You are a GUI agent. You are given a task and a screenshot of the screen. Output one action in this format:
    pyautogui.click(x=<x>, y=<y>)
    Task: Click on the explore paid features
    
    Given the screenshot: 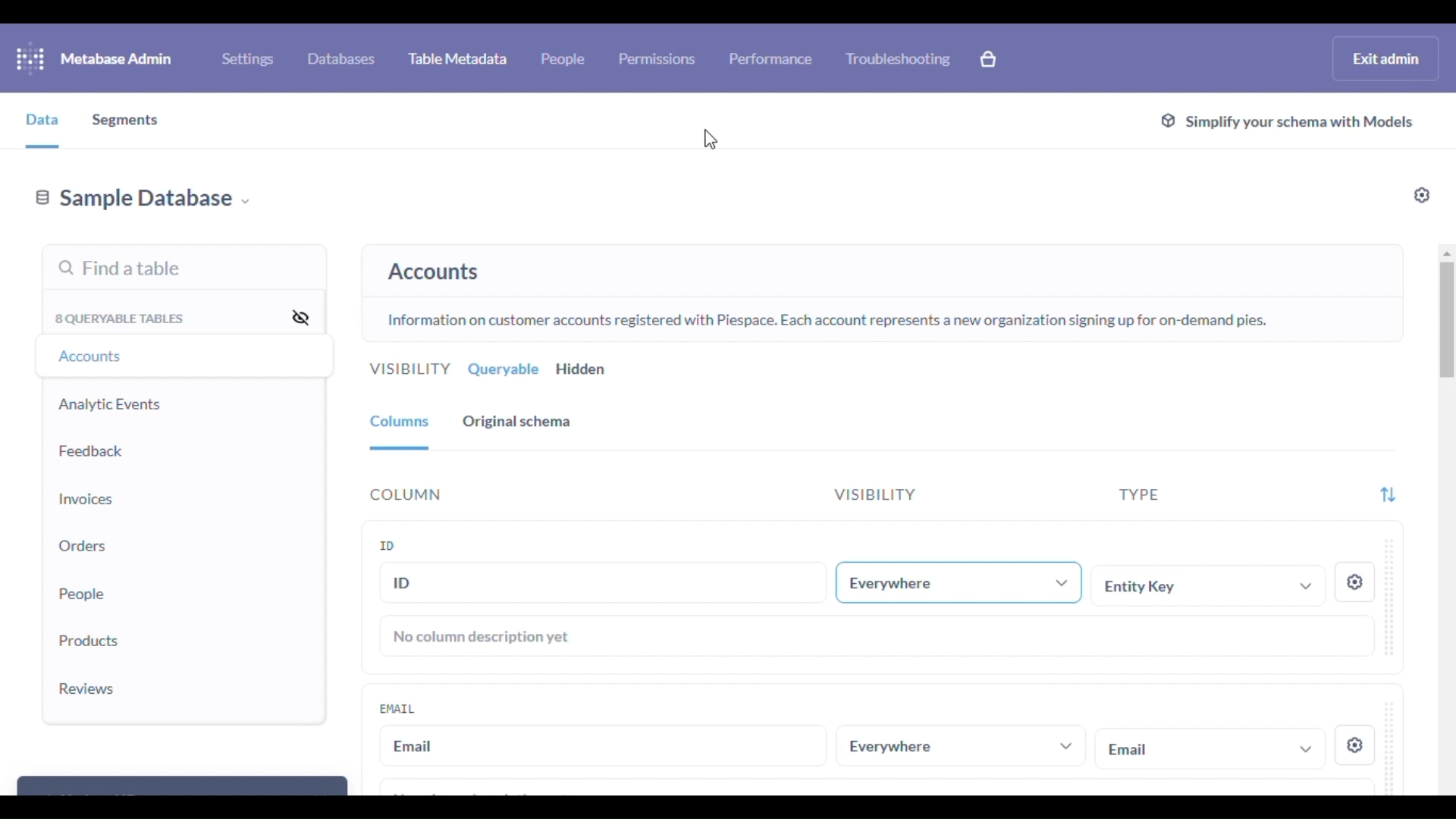 What is the action you would take?
    pyautogui.click(x=989, y=59)
    